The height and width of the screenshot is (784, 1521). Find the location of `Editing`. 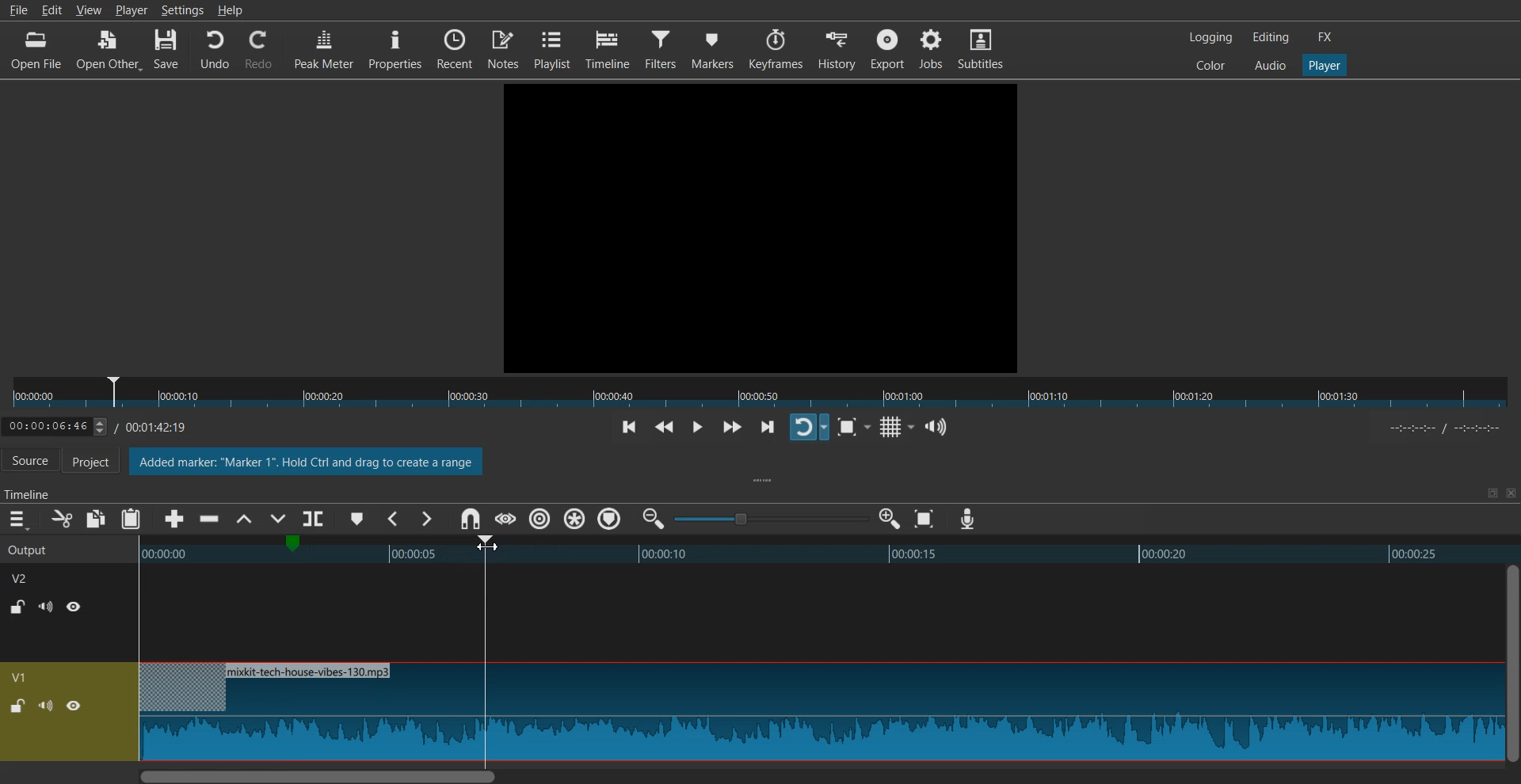

Editing is located at coordinates (1271, 36).